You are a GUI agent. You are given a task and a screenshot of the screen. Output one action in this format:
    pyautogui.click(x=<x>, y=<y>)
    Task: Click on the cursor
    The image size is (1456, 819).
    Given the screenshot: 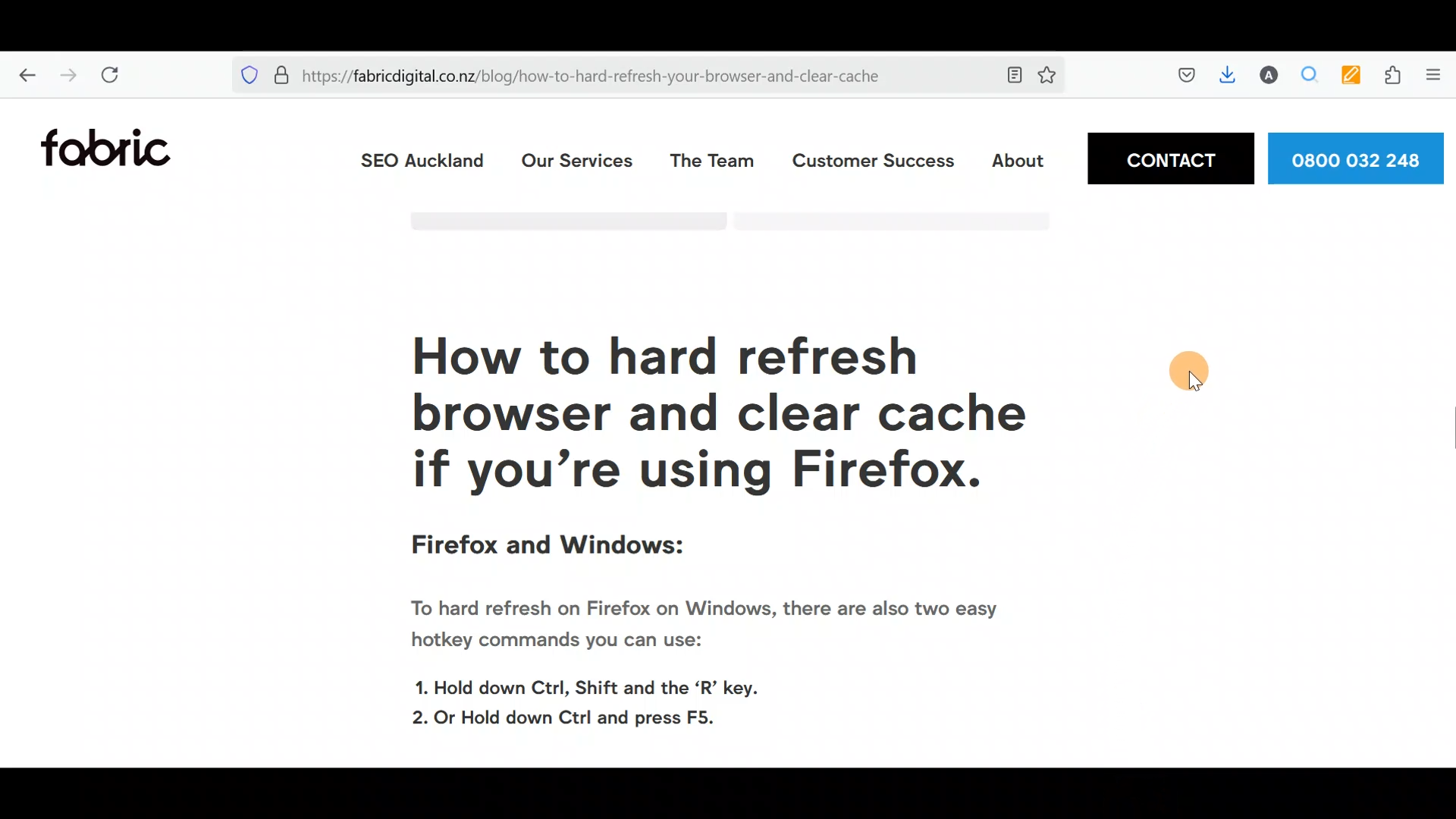 What is the action you would take?
    pyautogui.click(x=1191, y=369)
    